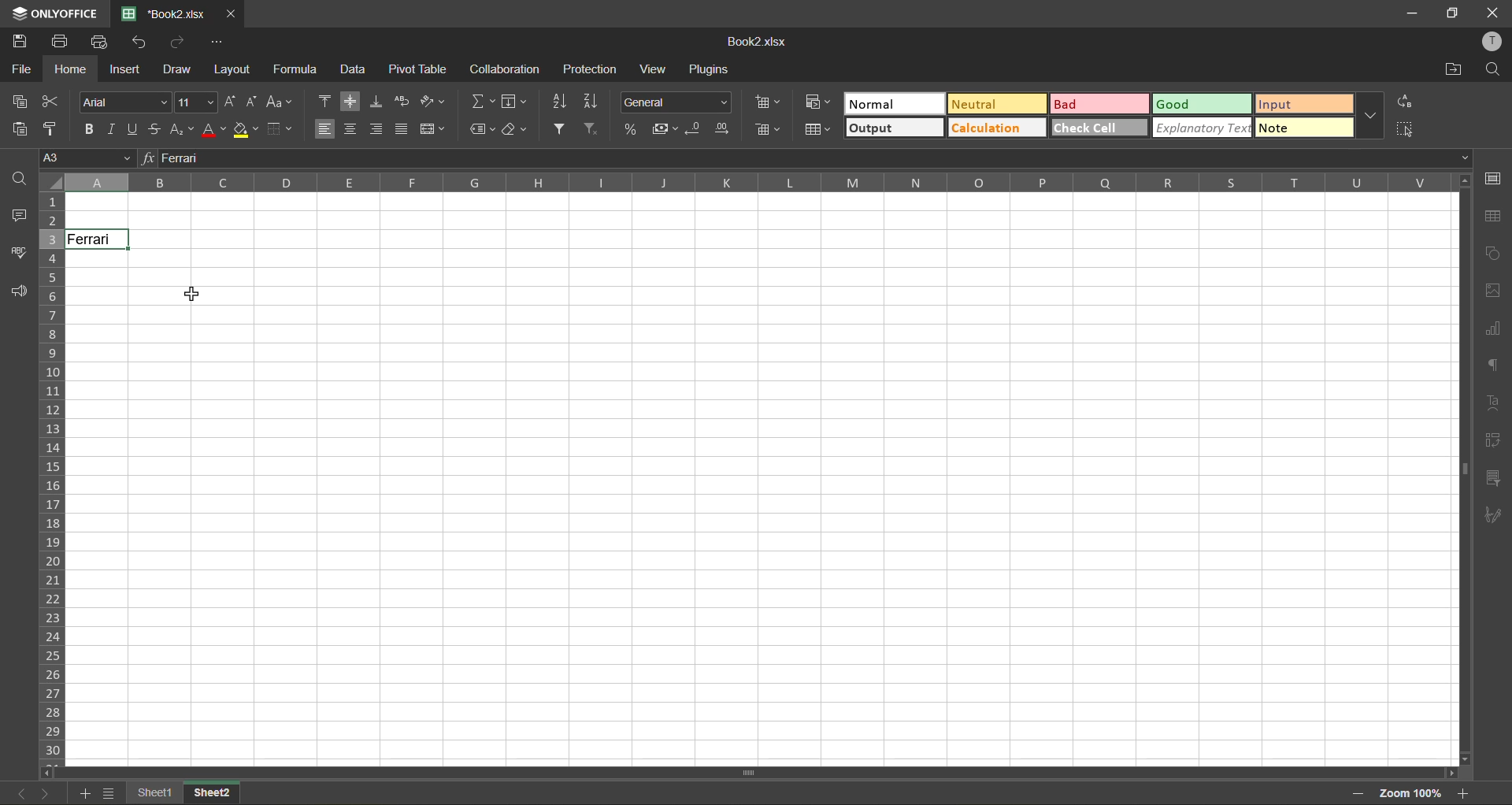 Image resolution: width=1512 pixels, height=805 pixels. I want to click on draw, so click(176, 70).